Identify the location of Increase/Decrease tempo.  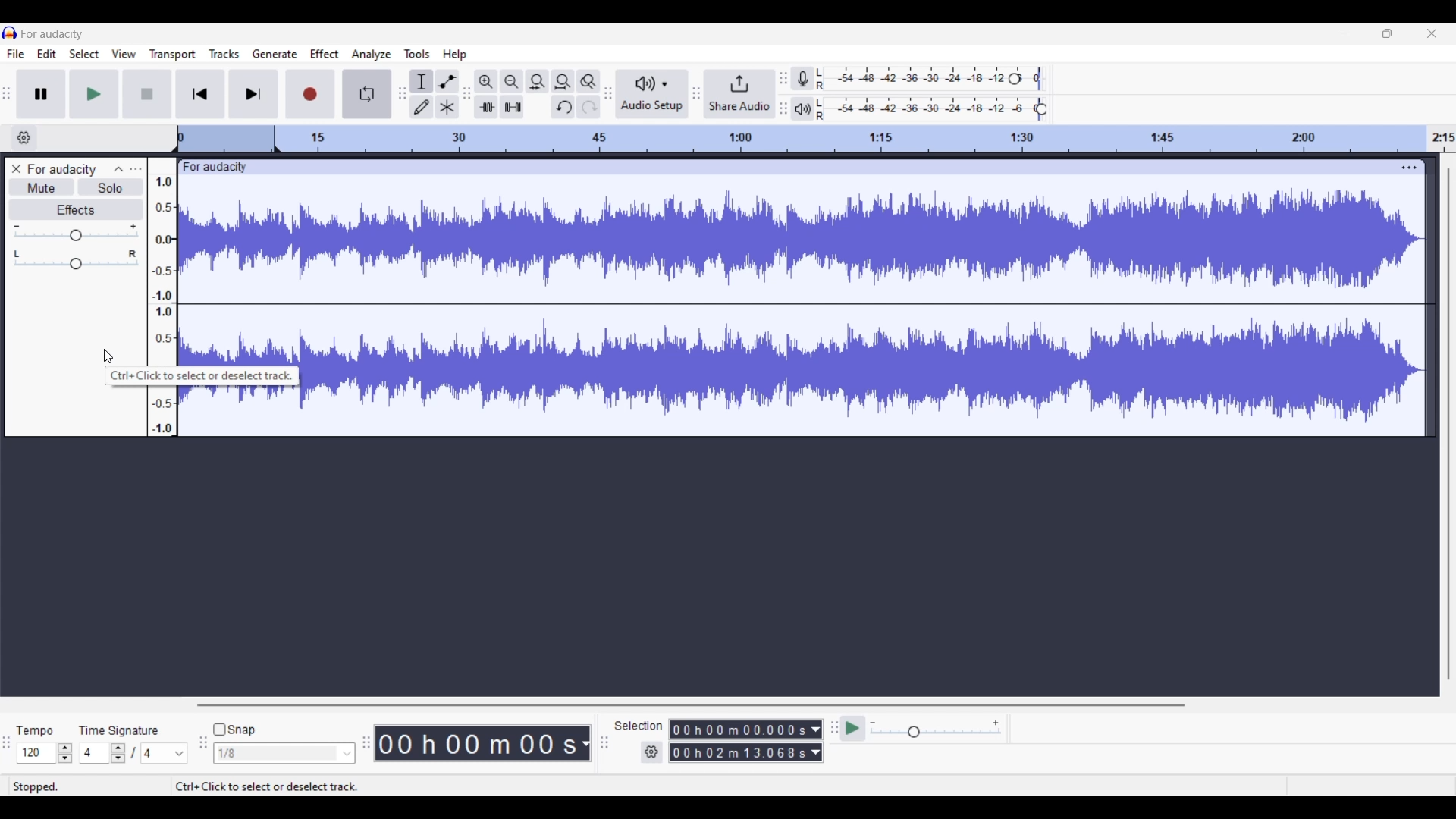
(65, 753).